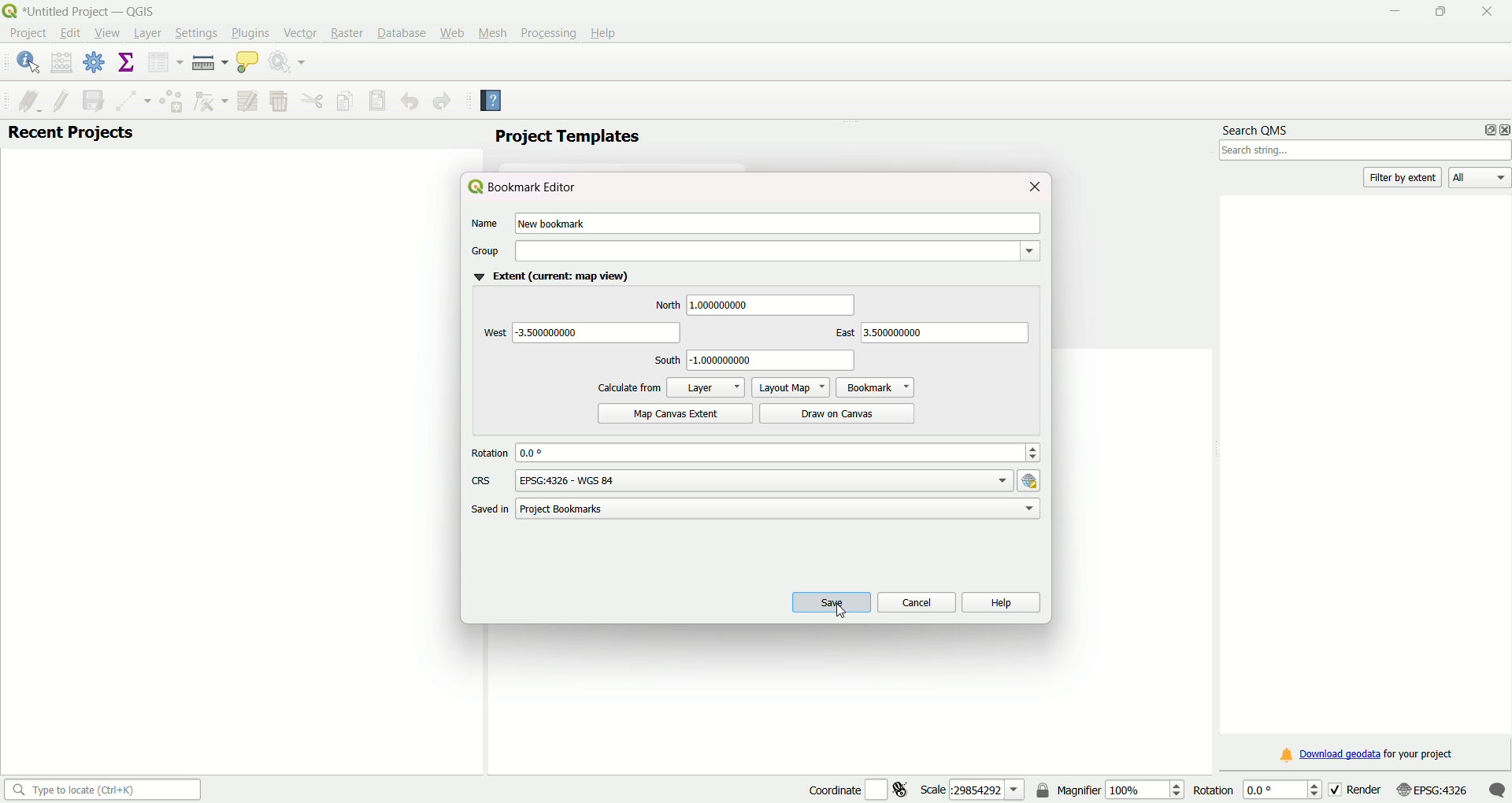 Image resolution: width=1512 pixels, height=803 pixels. Describe the element at coordinates (298, 32) in the screenshot. I see `Vector` at that location.